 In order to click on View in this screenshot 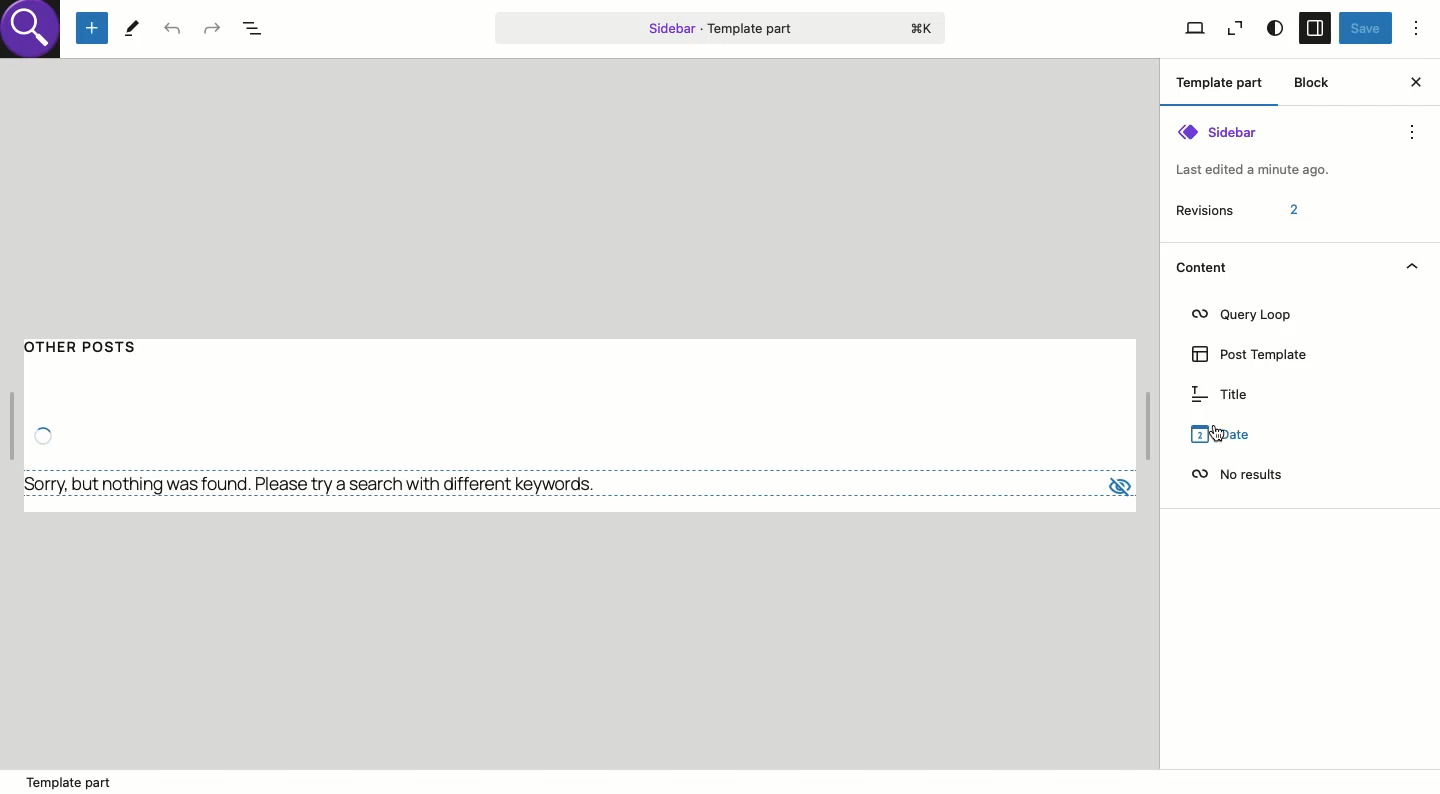, I will do `click(1194, 29)`.